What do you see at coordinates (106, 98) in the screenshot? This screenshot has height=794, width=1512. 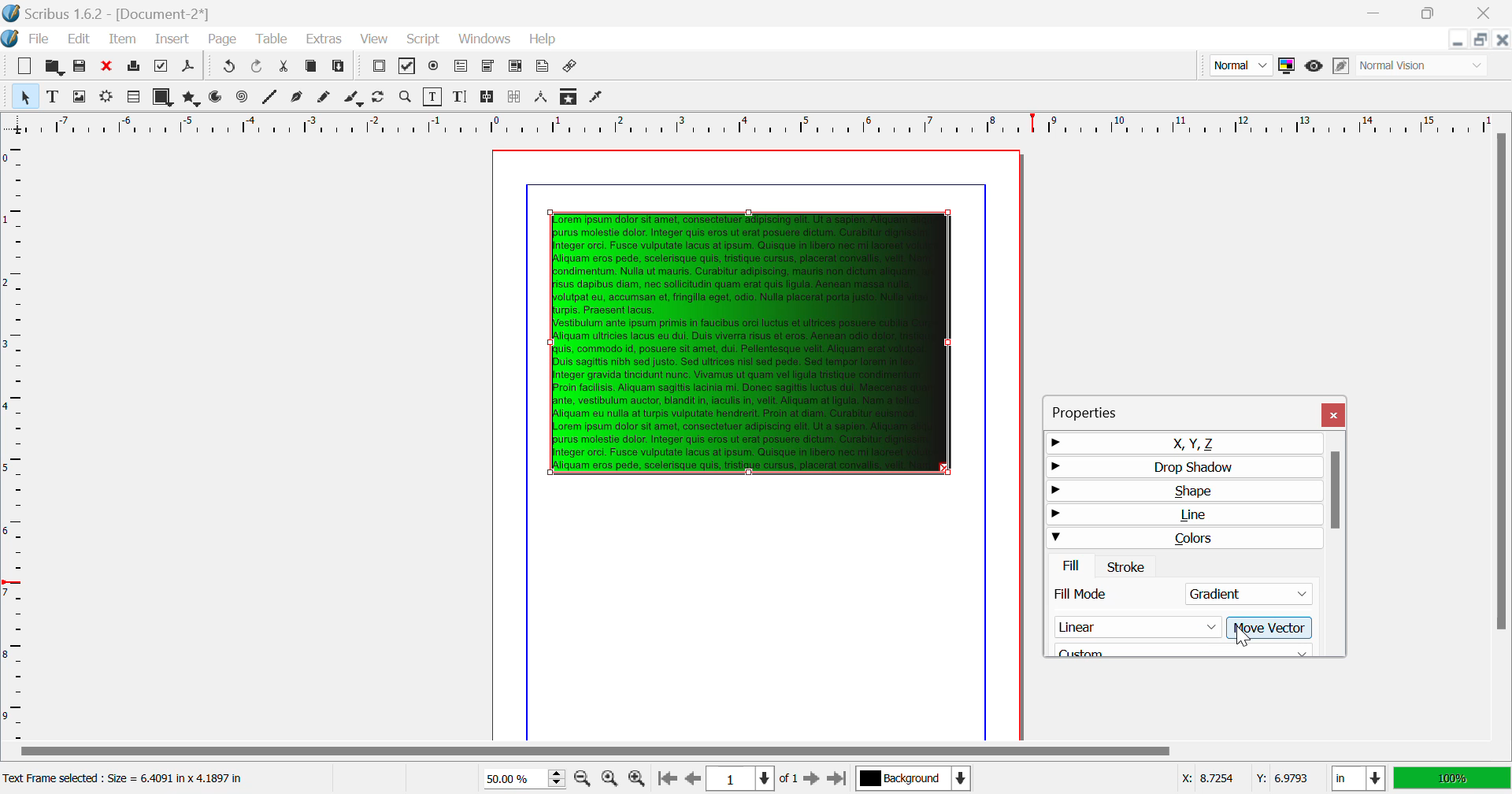 I see `Render Frame` at bounding box center [106, 98].